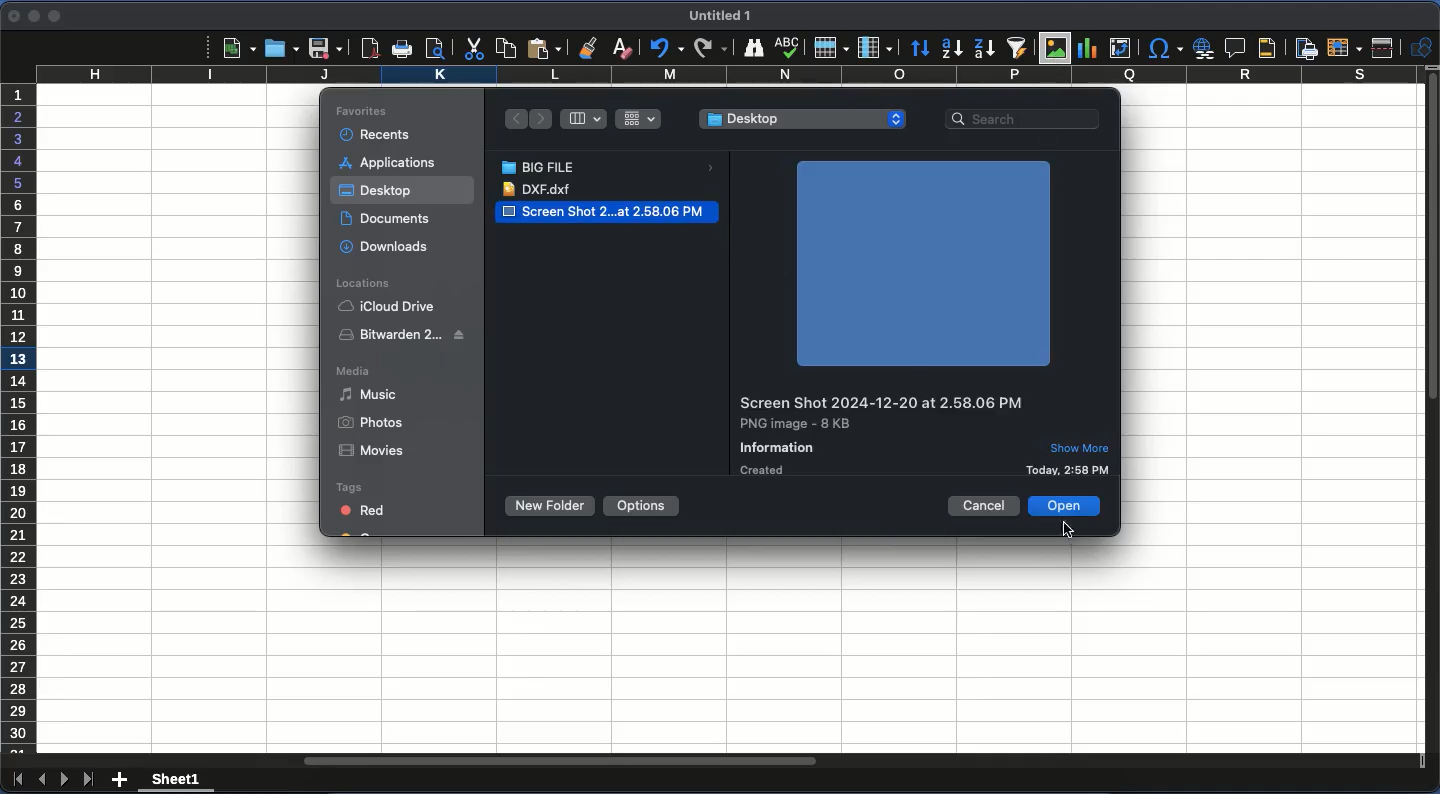  What do you see at coordinates (1421, 47) in the screenshot?
I see `show draw function` at bounding box center [1421, 47].